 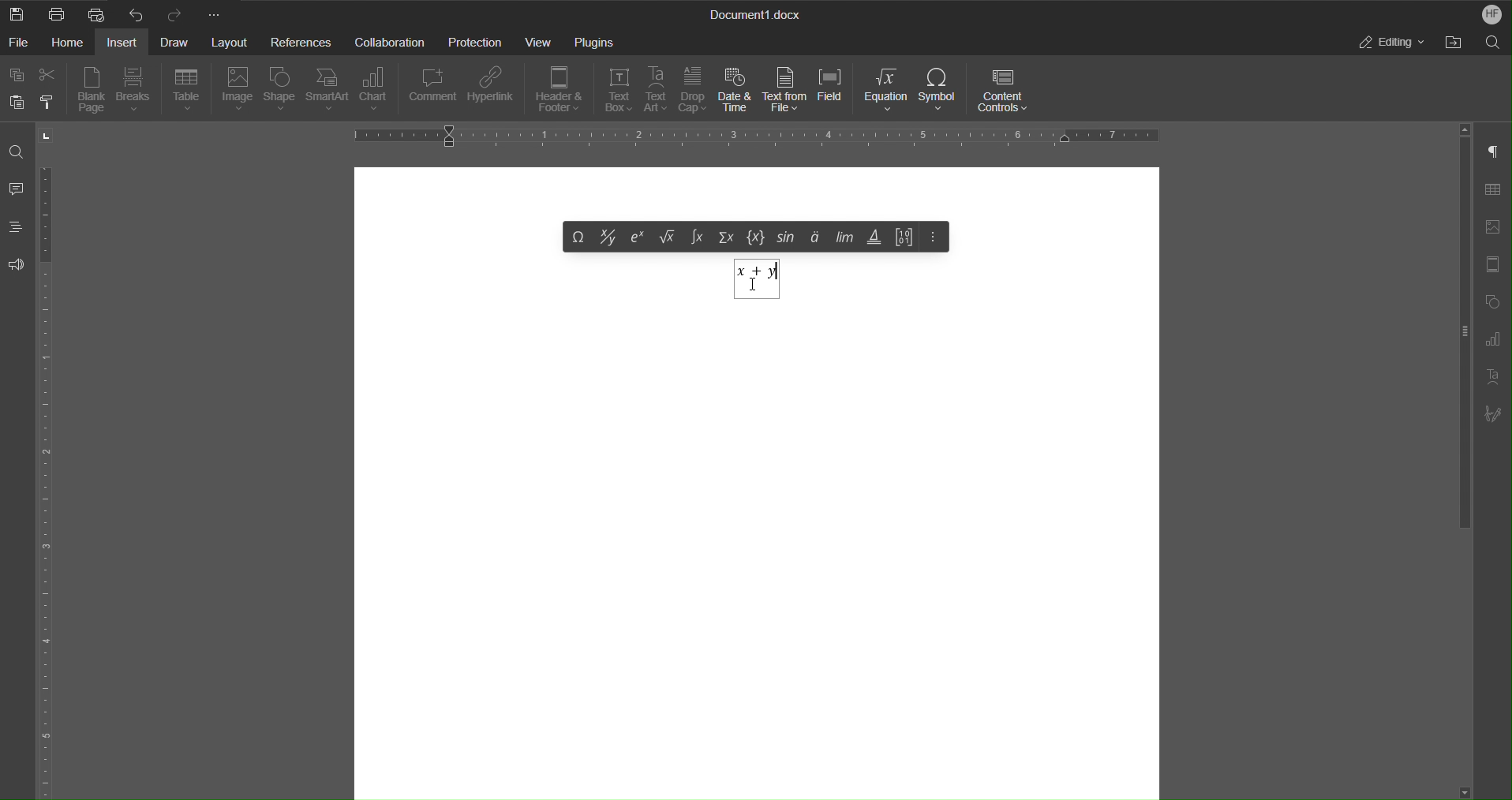 What do you see at coordinates (696, 237) in the screenshot?
I see `Integral` at bounding box center [696, 237].